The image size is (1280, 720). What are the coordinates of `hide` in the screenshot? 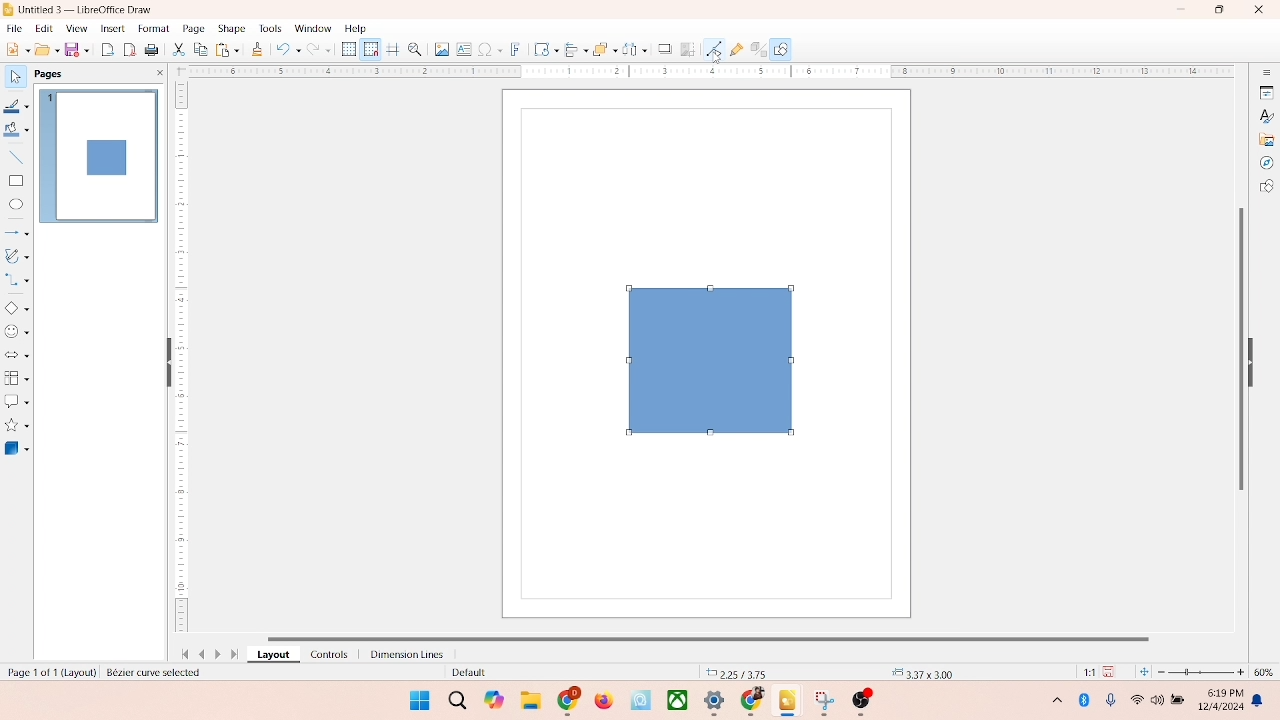 It's located at (165, 364).